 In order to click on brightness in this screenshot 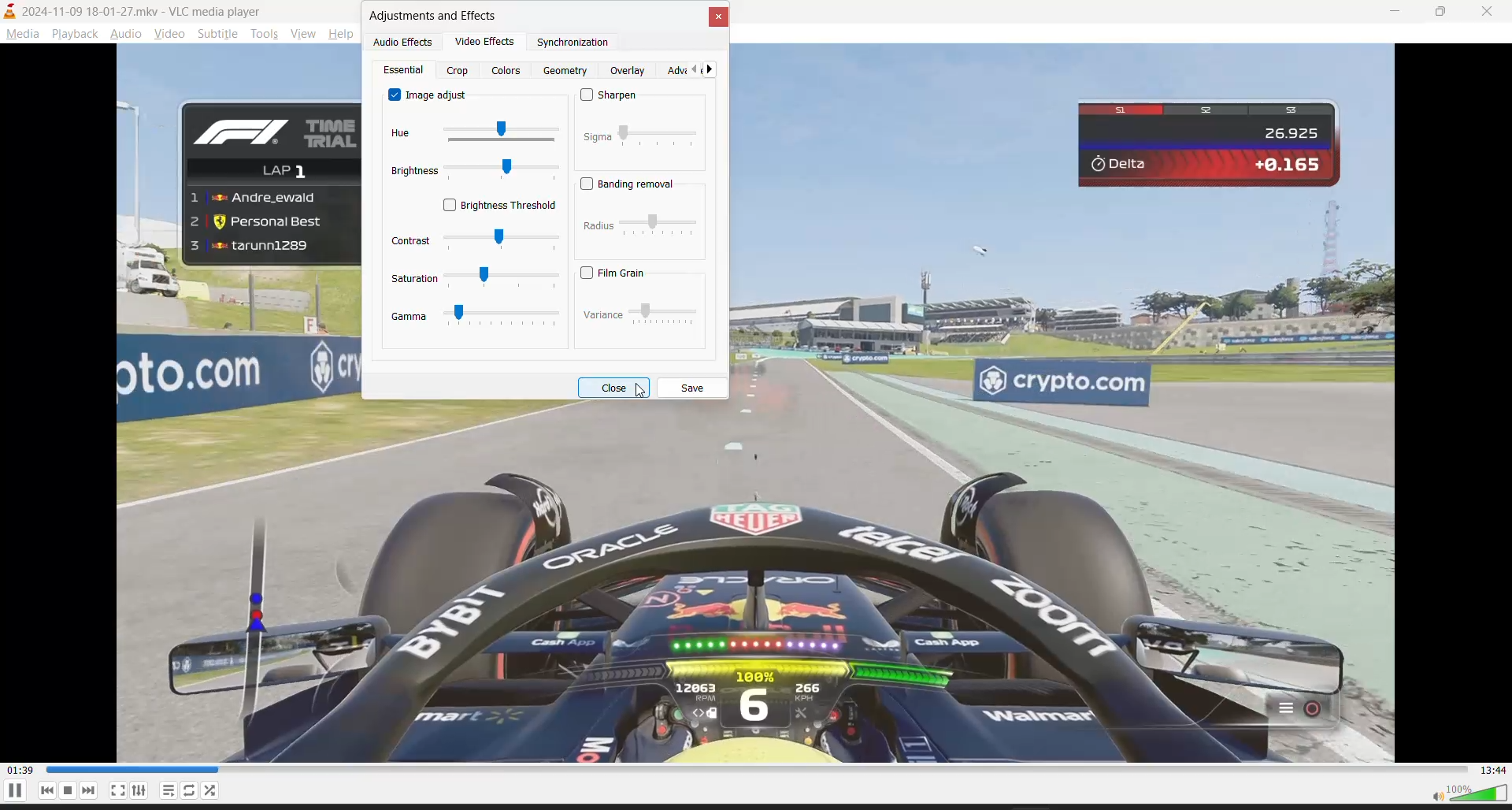, I will do `click(474, 172)`.